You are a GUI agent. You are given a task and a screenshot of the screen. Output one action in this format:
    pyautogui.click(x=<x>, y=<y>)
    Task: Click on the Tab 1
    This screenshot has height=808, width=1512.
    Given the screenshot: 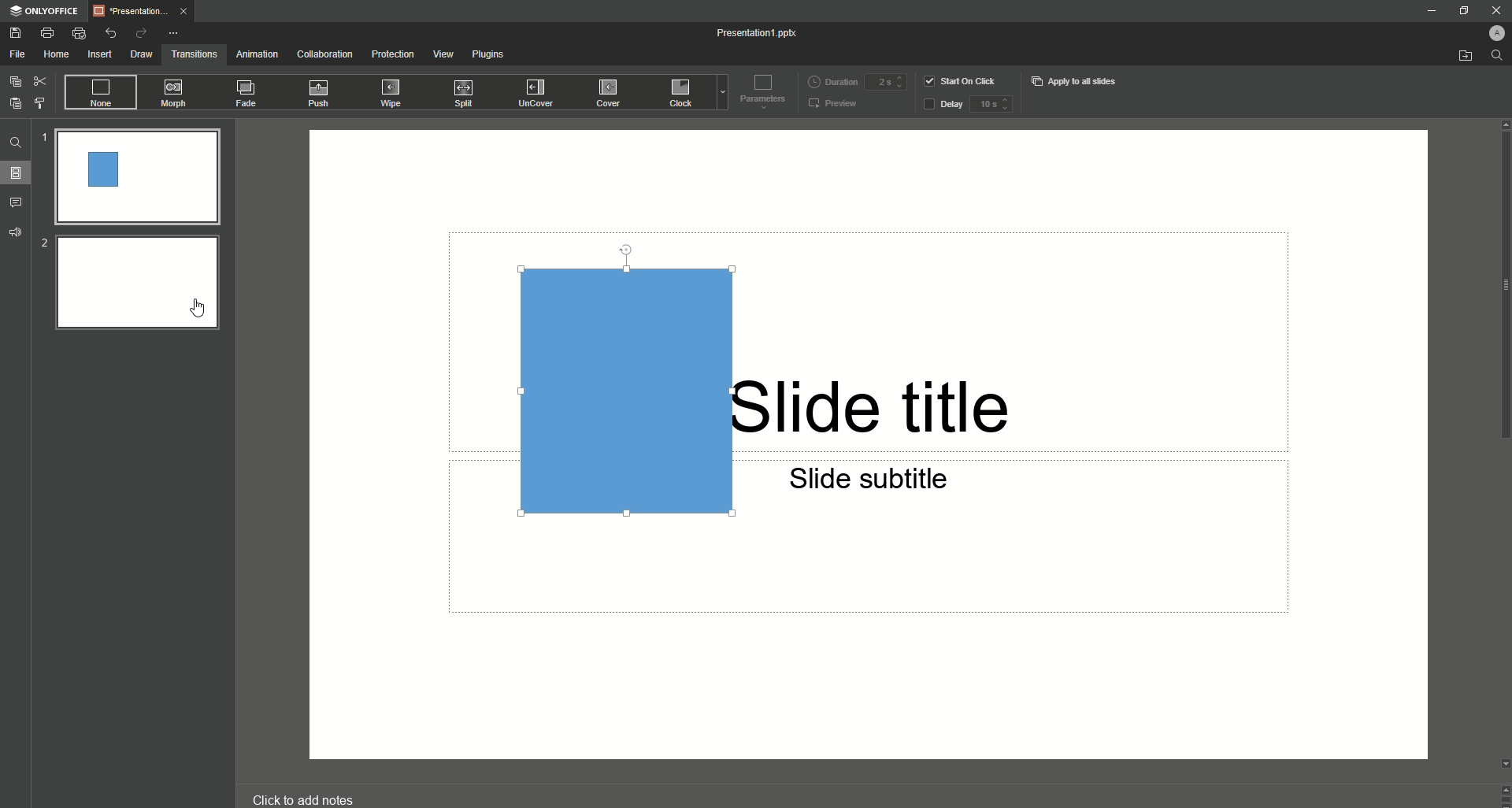 What is the action you would take?
    pyautogui.click(x=144, y=11)
    